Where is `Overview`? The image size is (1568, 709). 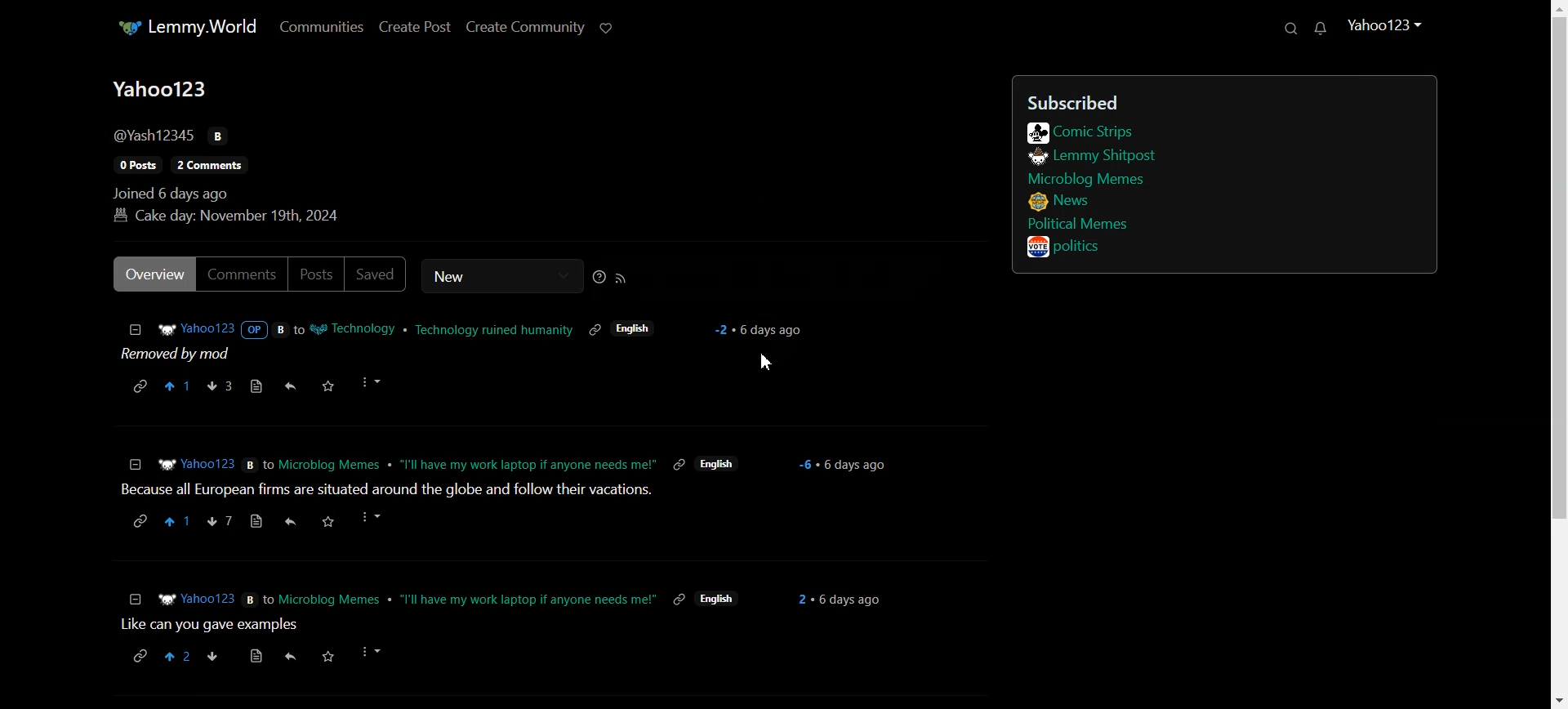
Overview is located at coordinates (154, 274).